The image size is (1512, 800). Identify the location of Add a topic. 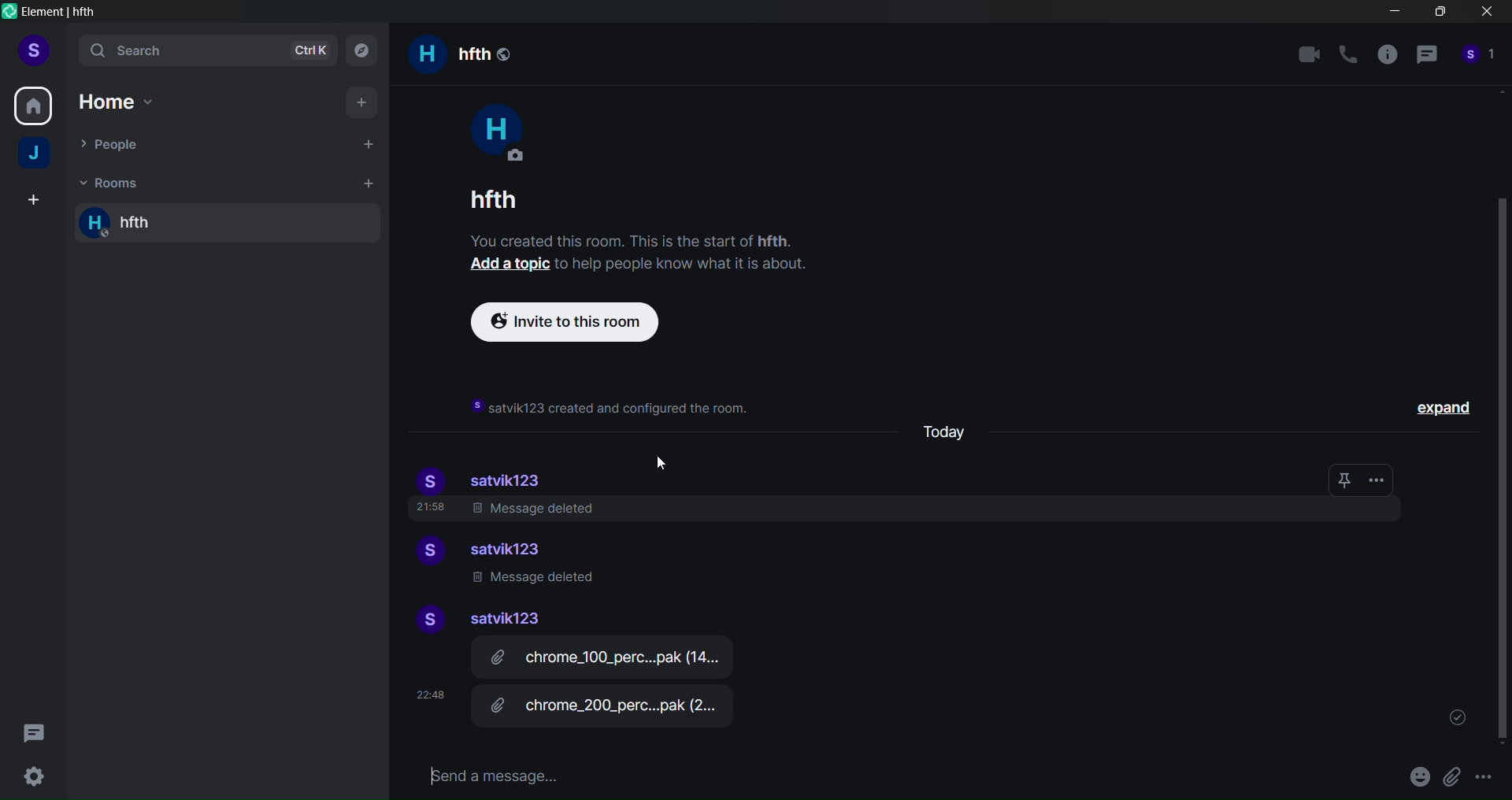
(502, 268).